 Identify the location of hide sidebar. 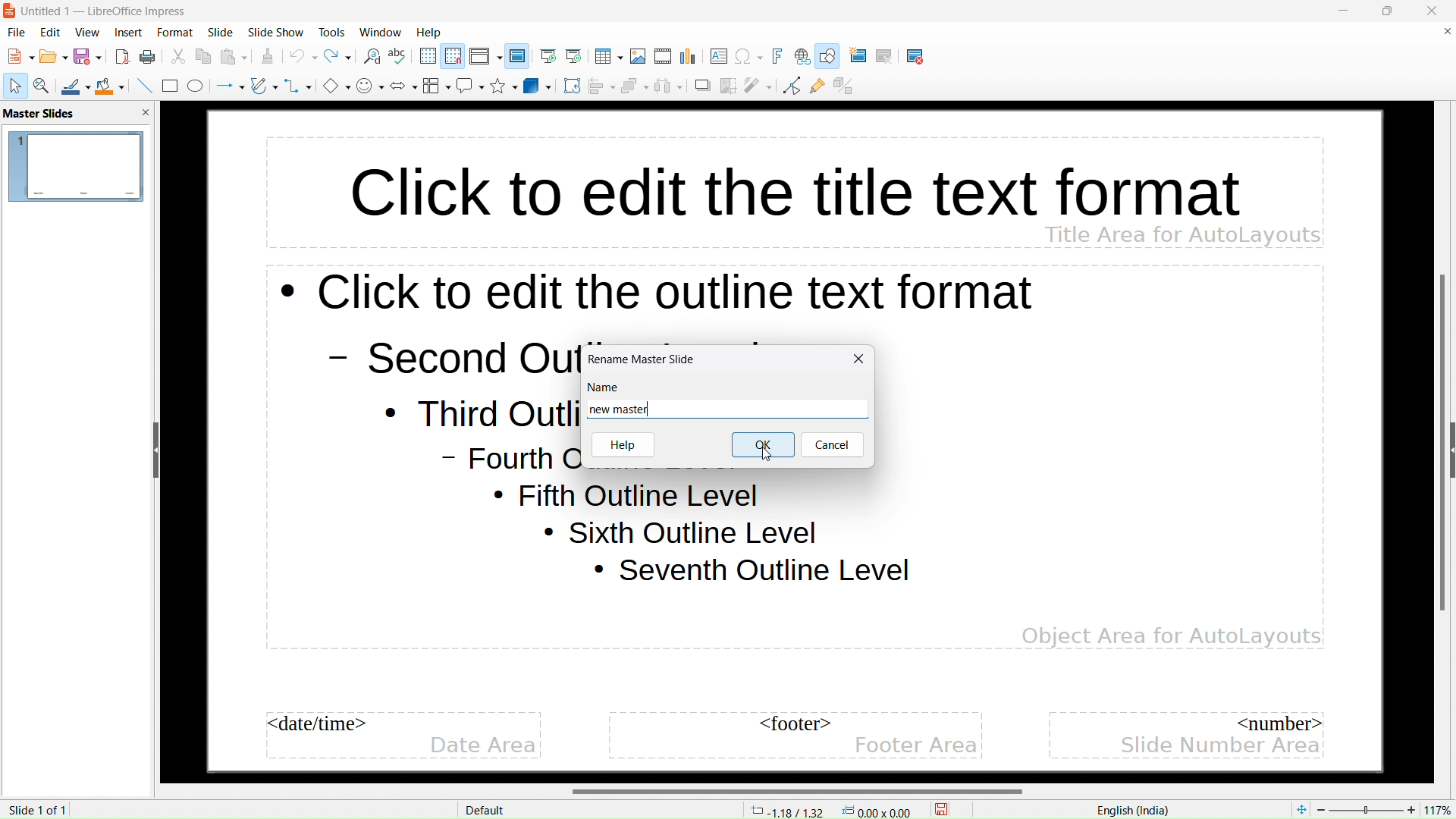
(155, 450).